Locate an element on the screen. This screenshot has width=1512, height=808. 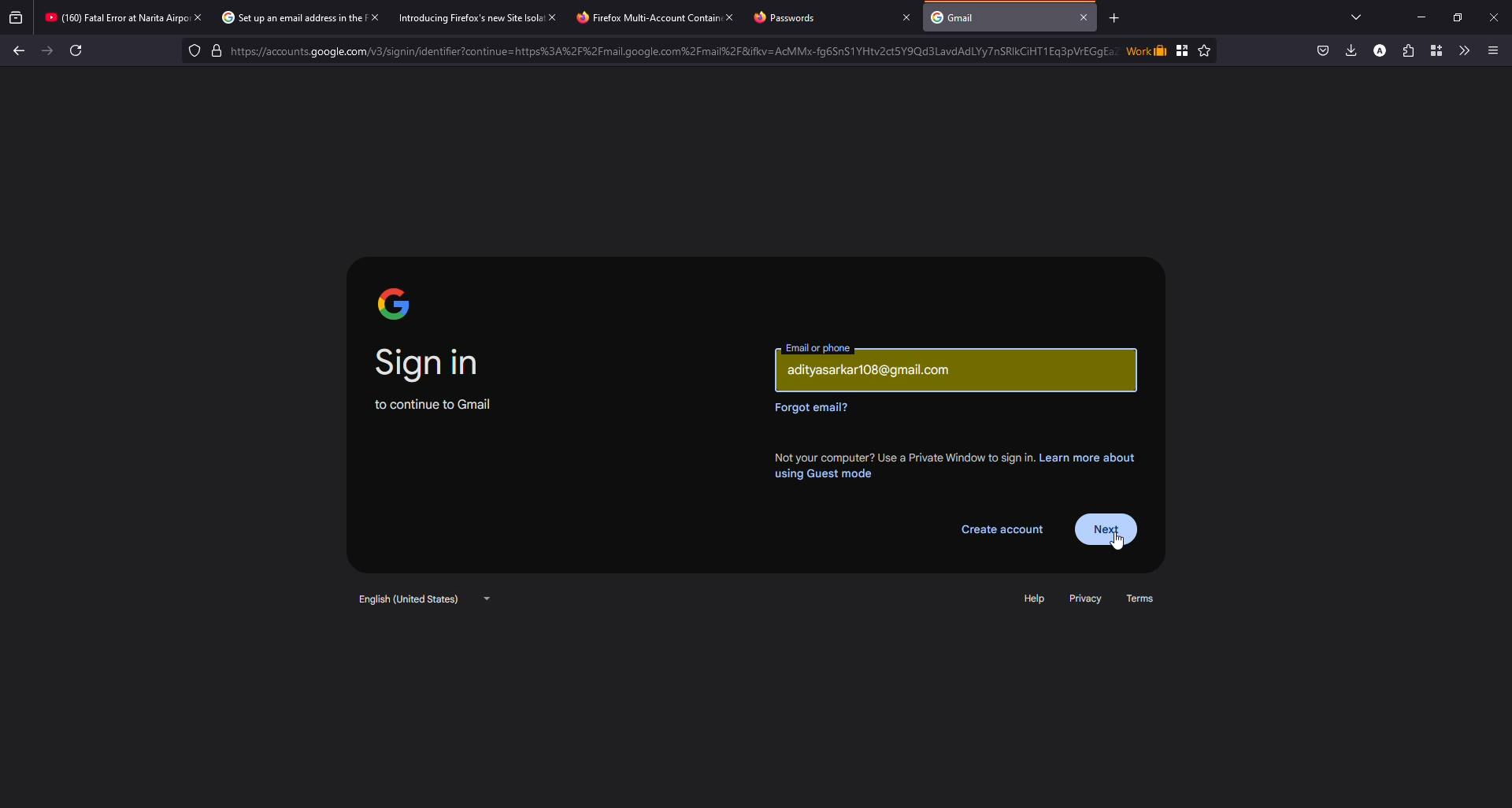
next is located at coordinates (1109, 528).